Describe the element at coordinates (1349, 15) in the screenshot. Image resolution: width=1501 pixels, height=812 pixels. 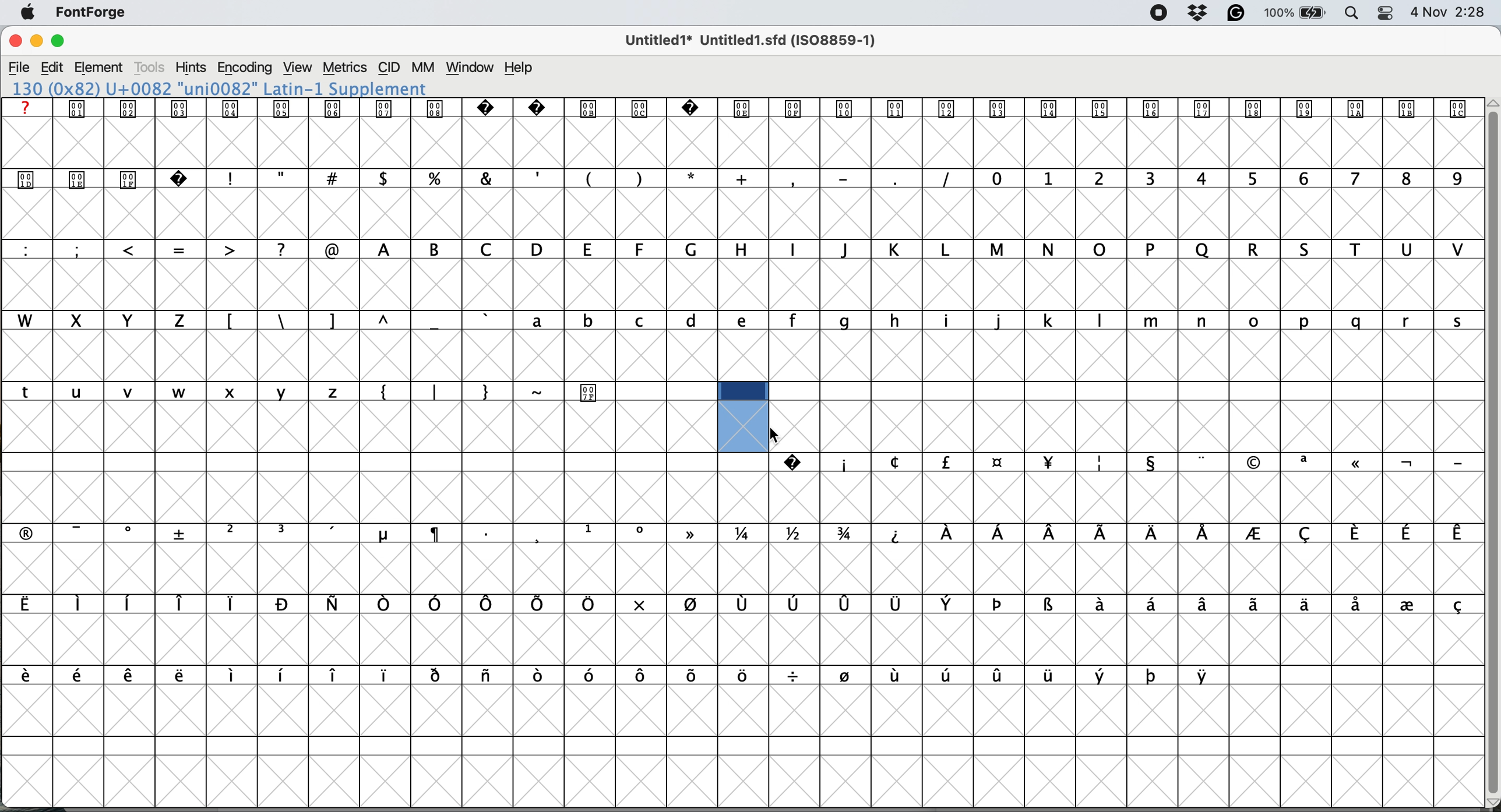
I see `spotlight search` at that location.